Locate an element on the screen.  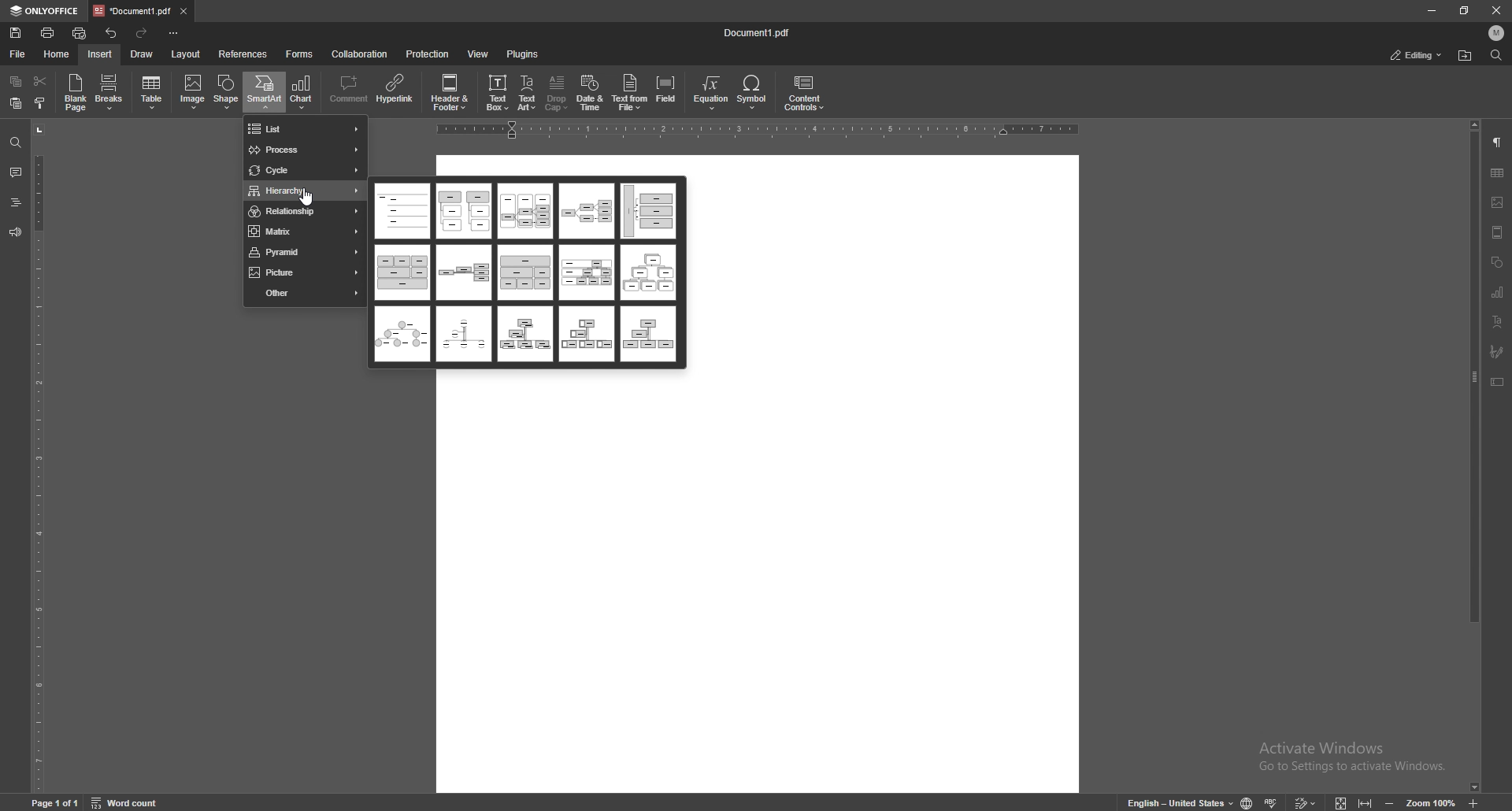
text art is located at coordinates (528, 93).